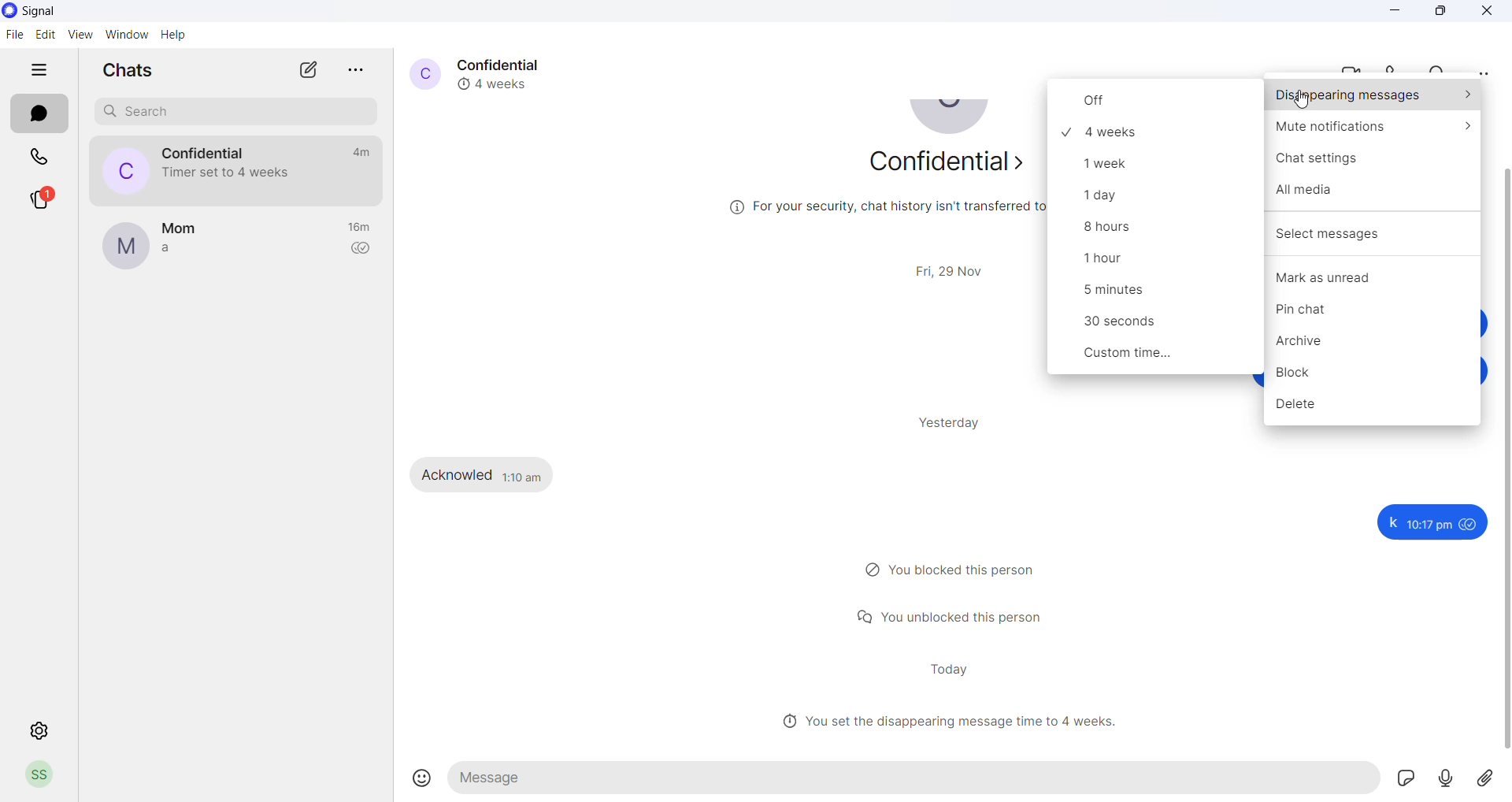 This screenshot has width=1512, height=802. I want to click on , so click(1429, 522).